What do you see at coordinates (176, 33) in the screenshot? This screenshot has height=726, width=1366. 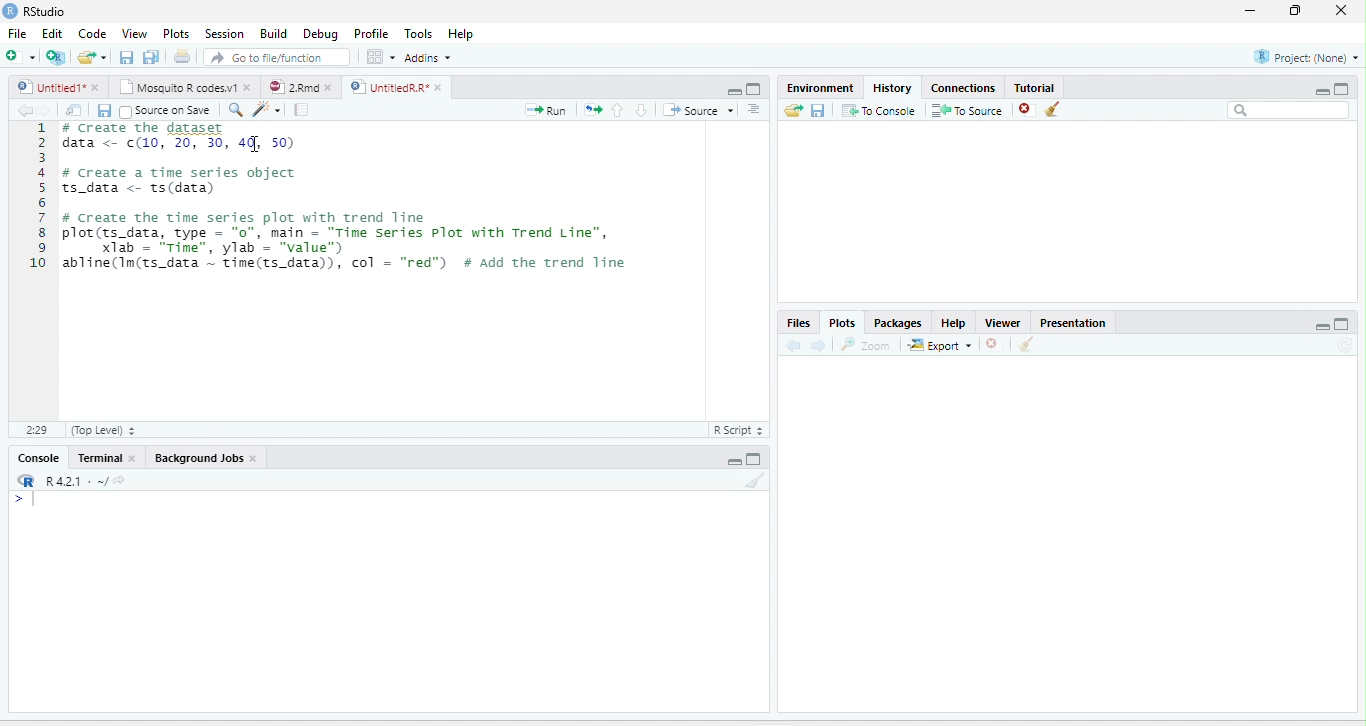 I see `Plots` at bounding box center [176, 33].